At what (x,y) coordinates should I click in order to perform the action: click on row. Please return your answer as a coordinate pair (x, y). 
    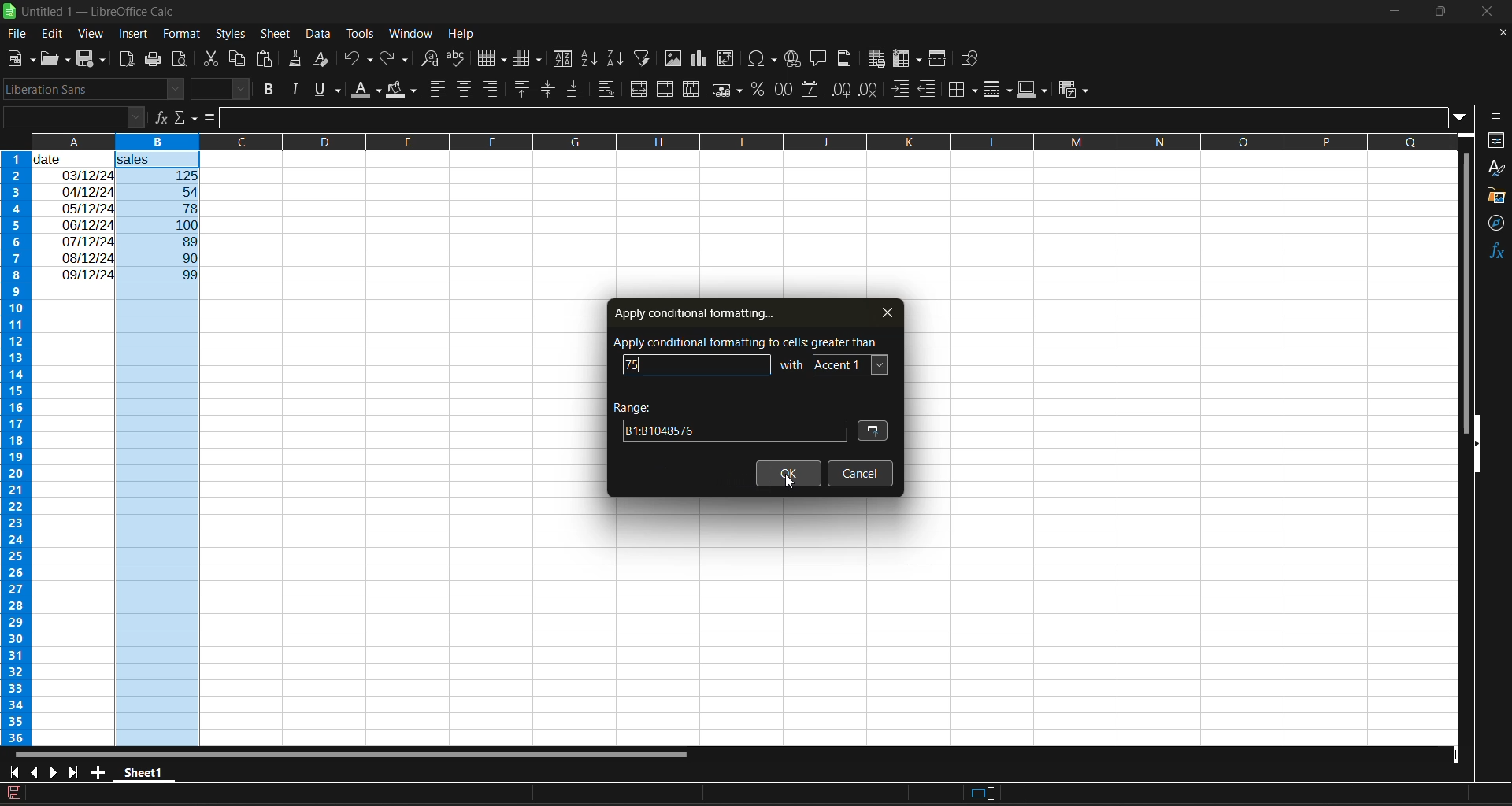
    Looking at the image, I should click on (492, 57).